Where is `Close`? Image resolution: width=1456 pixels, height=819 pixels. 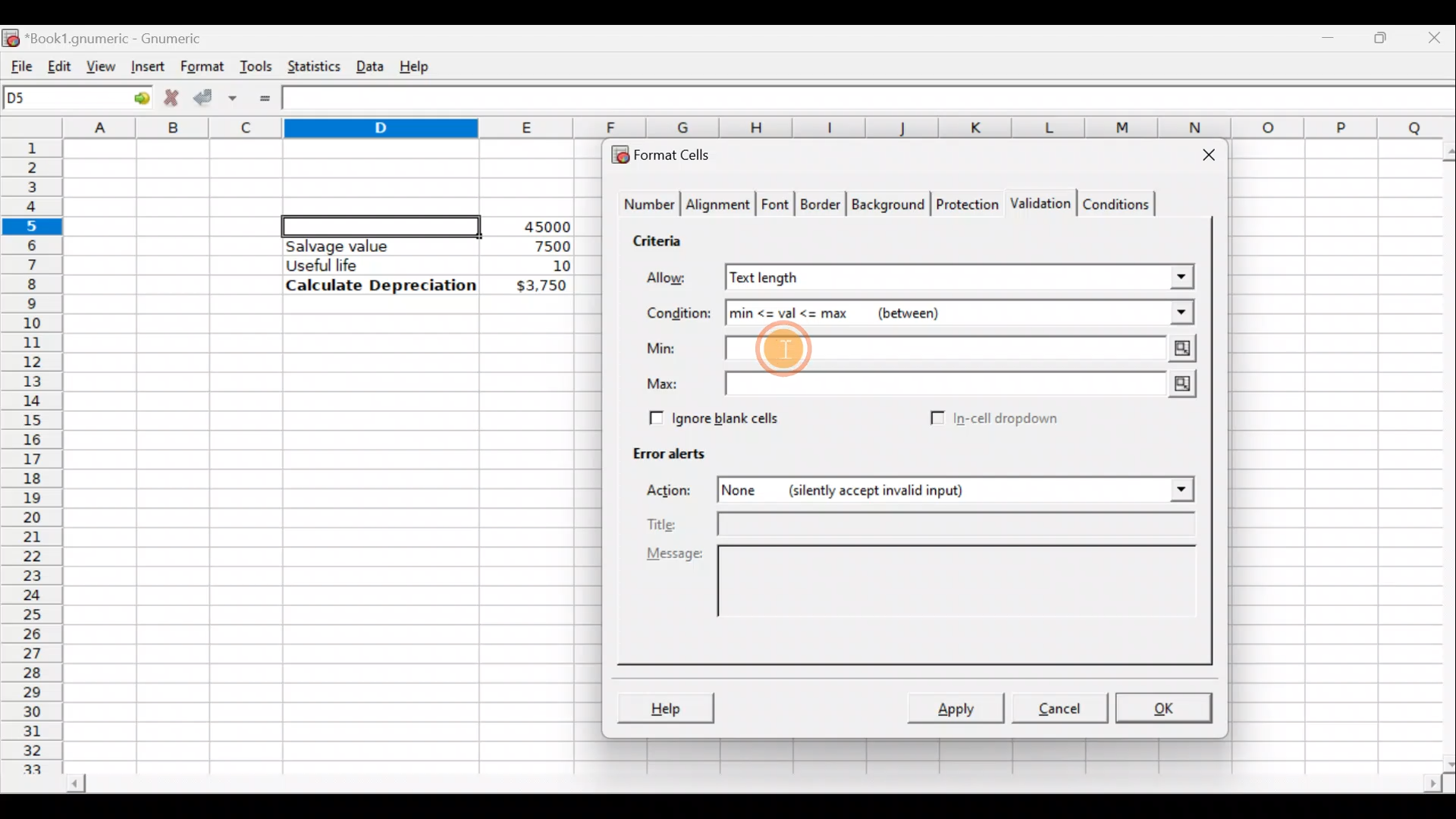 Close is located at coordinates (1437, 36).